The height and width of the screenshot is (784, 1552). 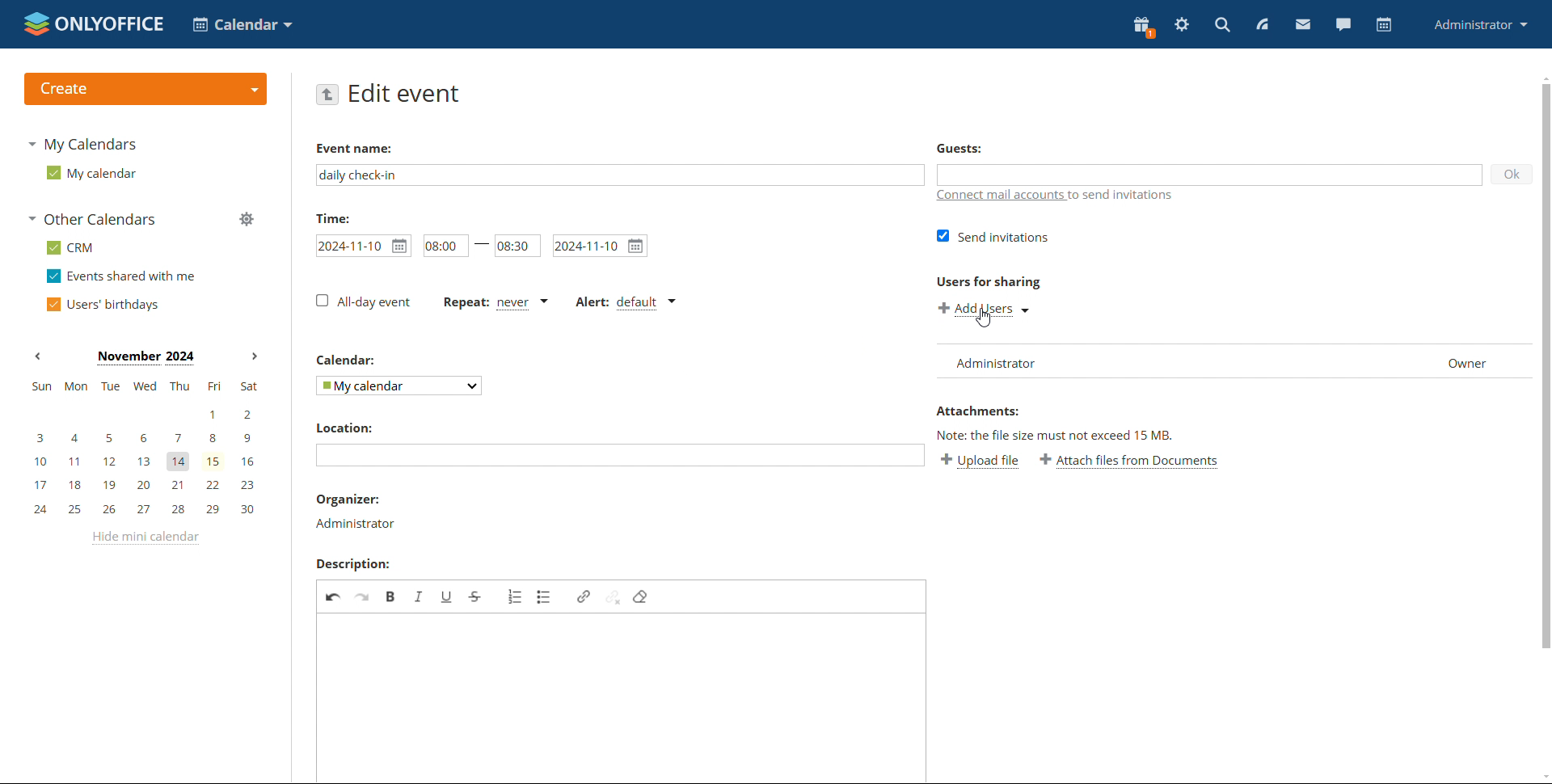 I want to click on select application, so click(x=242, y=24).